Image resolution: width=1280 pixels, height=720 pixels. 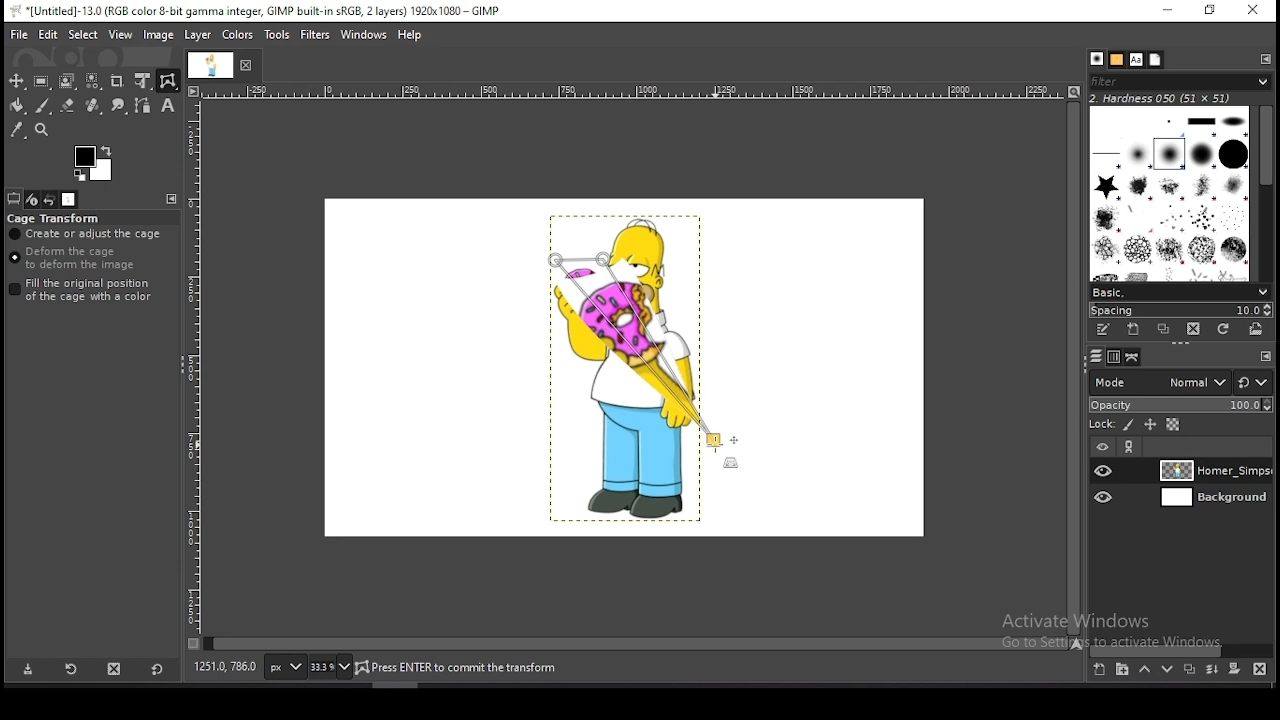 What do you see at coordinates (17, 105) in the screenshot?
I see `paint bucket tool` at bounding box center [17, 105].